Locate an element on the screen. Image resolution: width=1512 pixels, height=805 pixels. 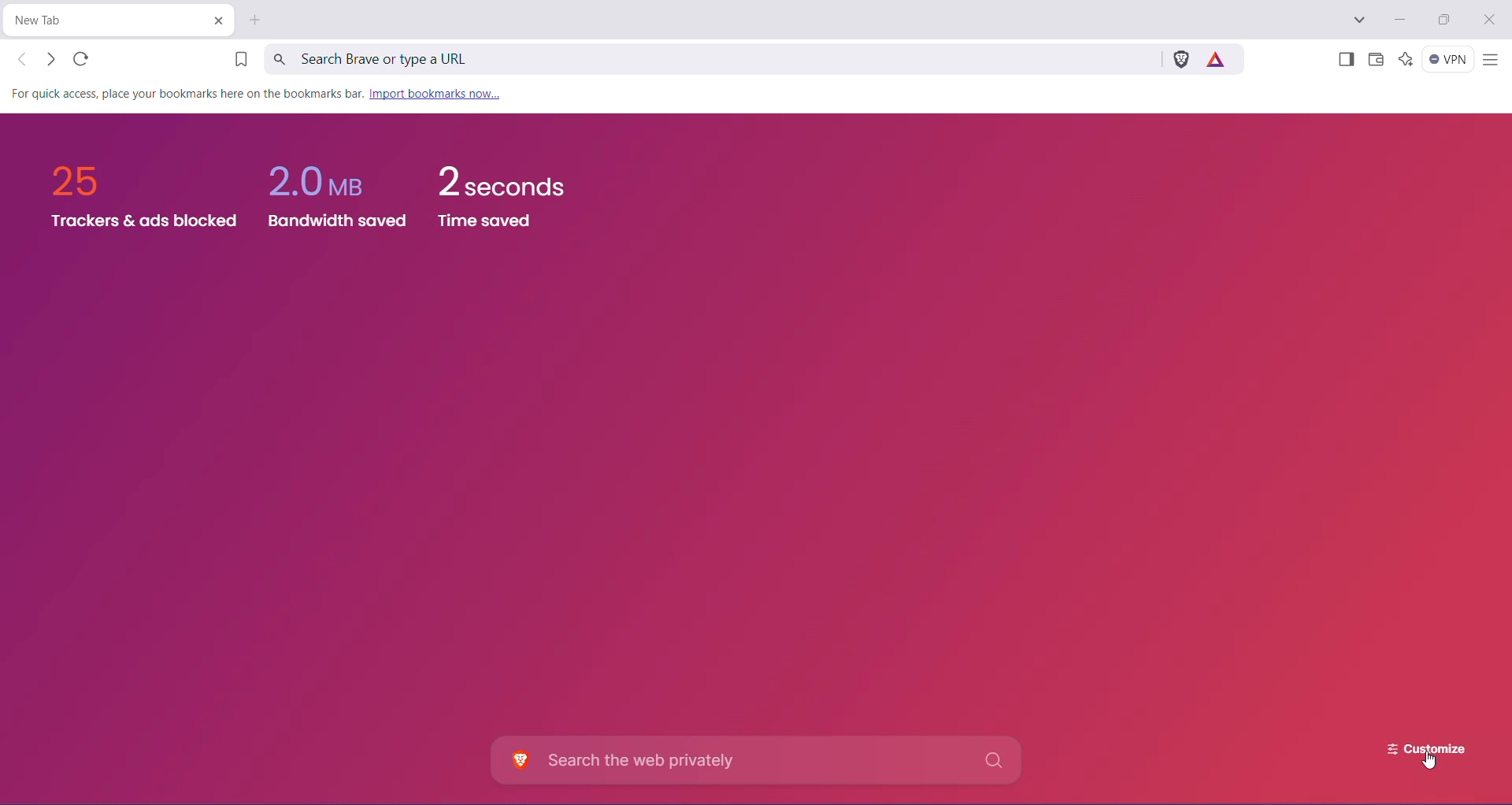
New Tab is located at coordinates (257, 20).